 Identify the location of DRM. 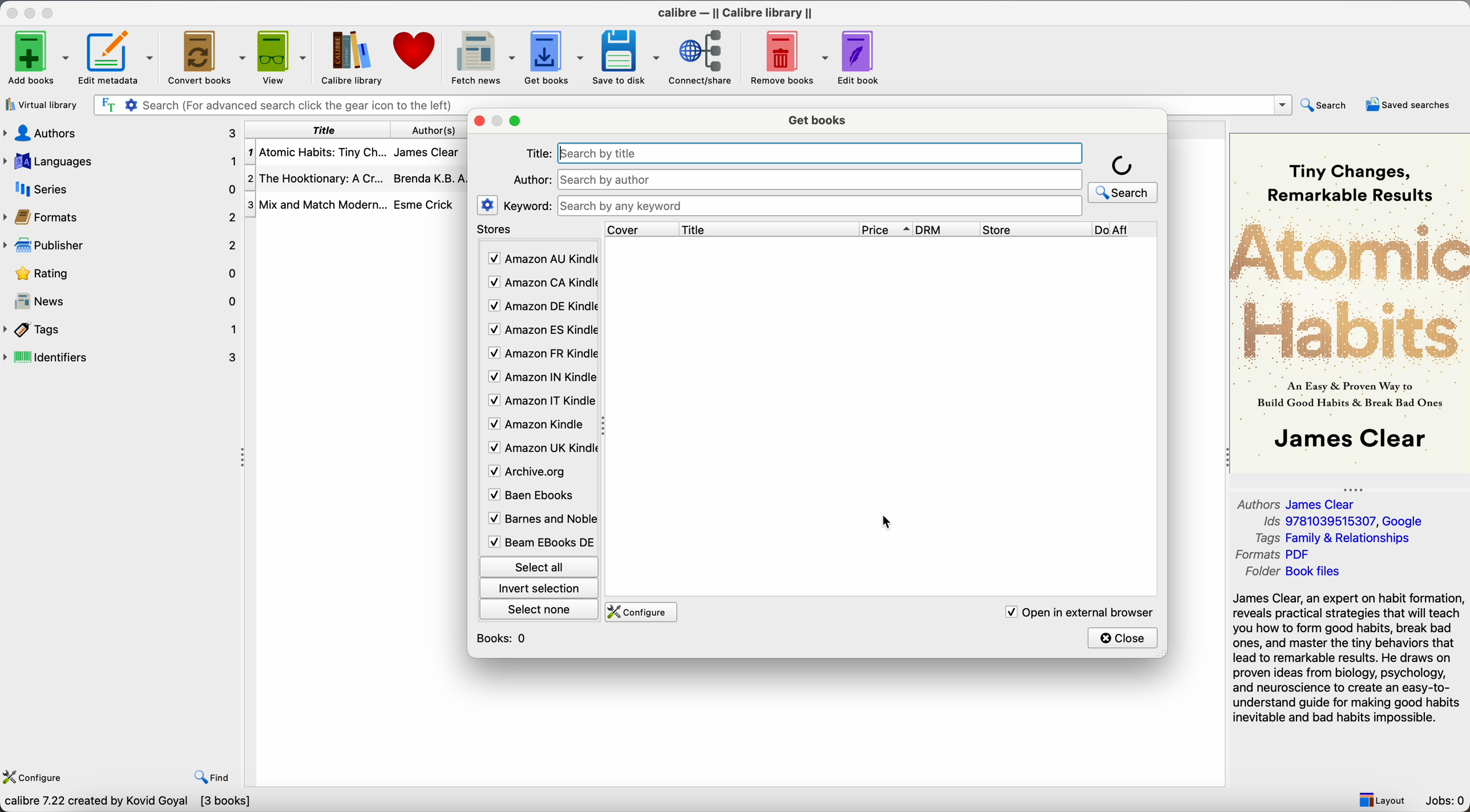
(947, 229).